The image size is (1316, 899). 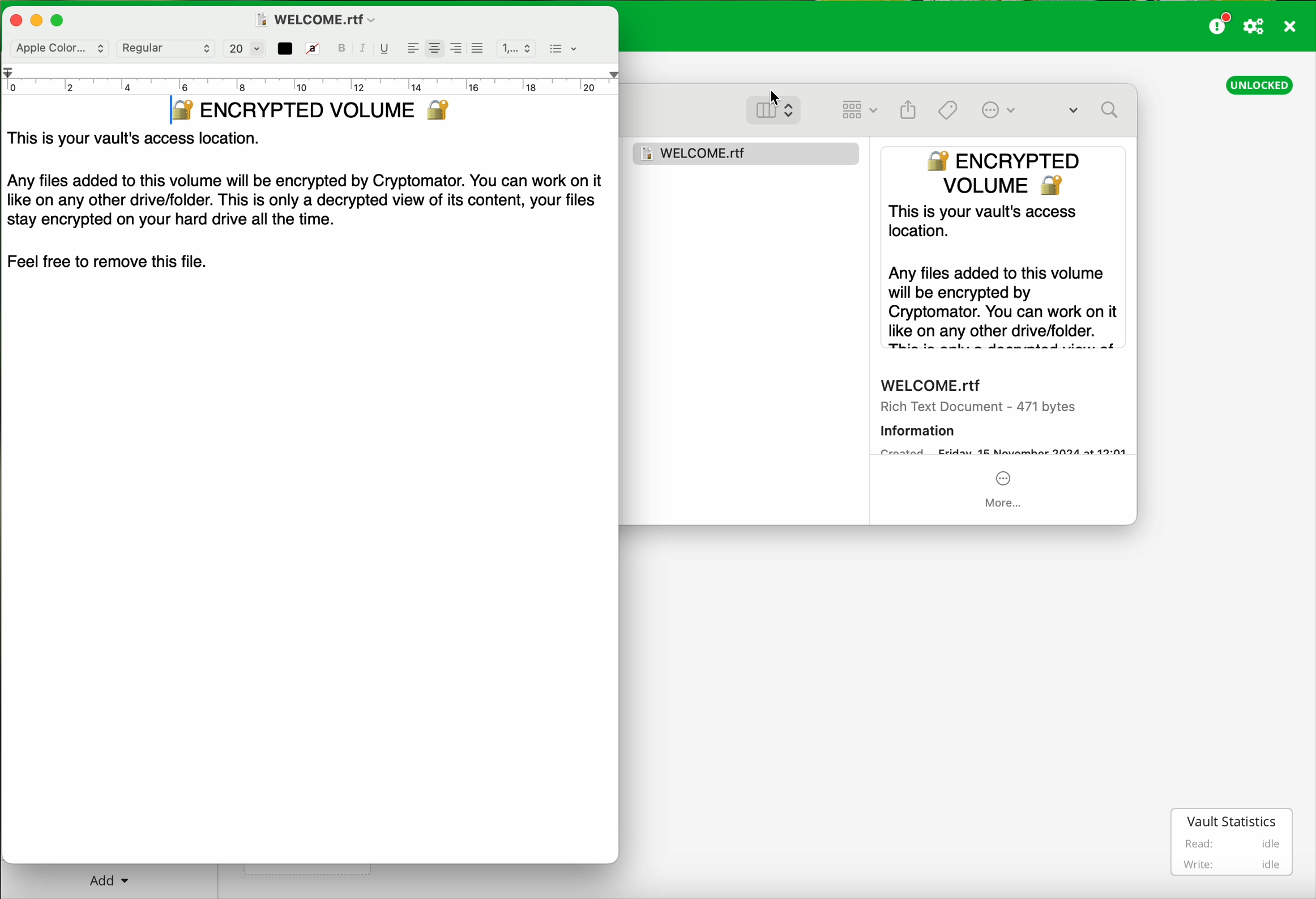 What do you see at coordinates (57, 49) in the screenshot?
I see `Apple Color... ` at bounding box center [57, 49].